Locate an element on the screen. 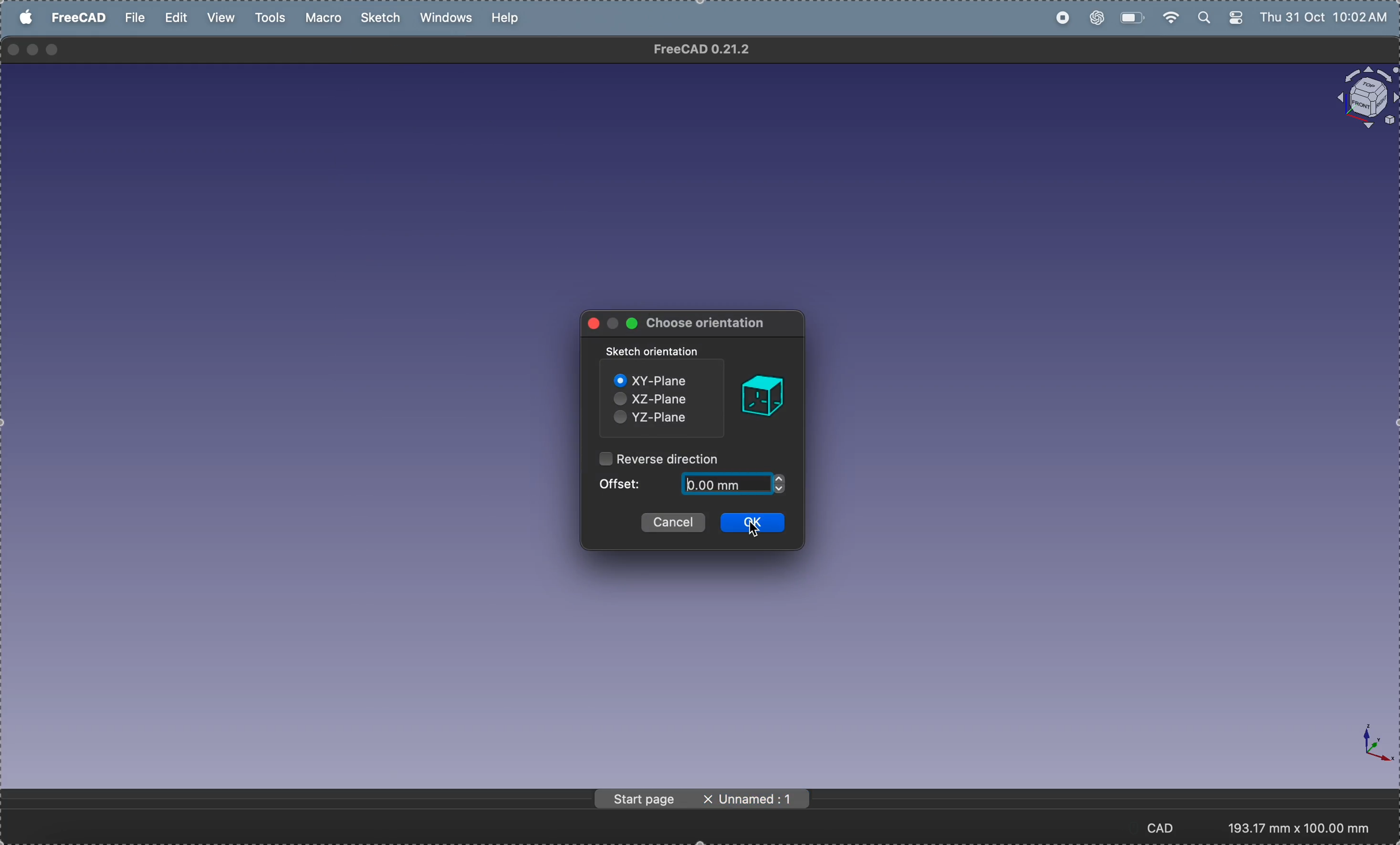  Checkbox is located at coordinates (605, 458).